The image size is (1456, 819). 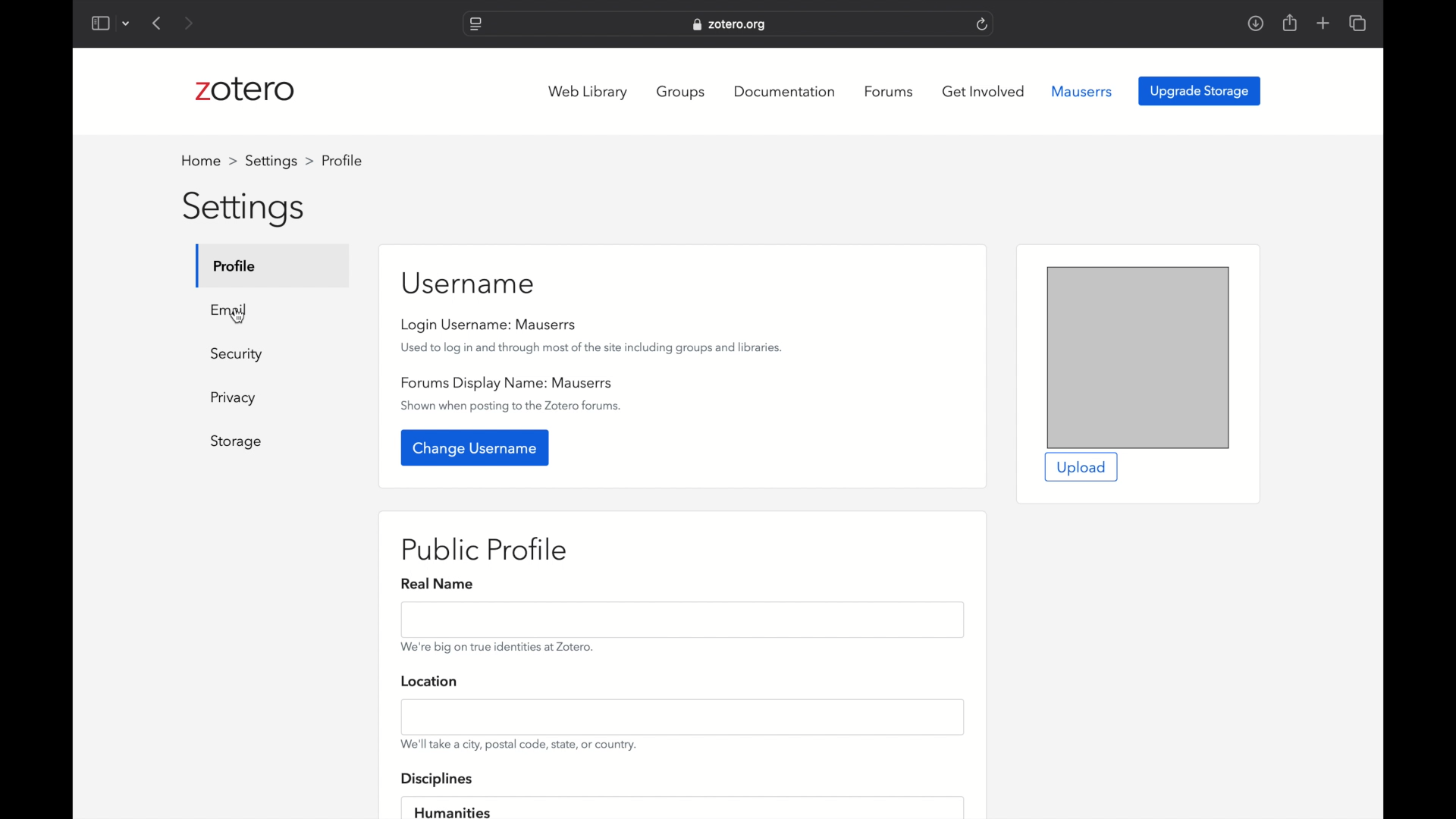 What do you see at coordinates (490, 325) in the screenshot?
I see `login username: mauserrs` at bounding box center [490, 325].